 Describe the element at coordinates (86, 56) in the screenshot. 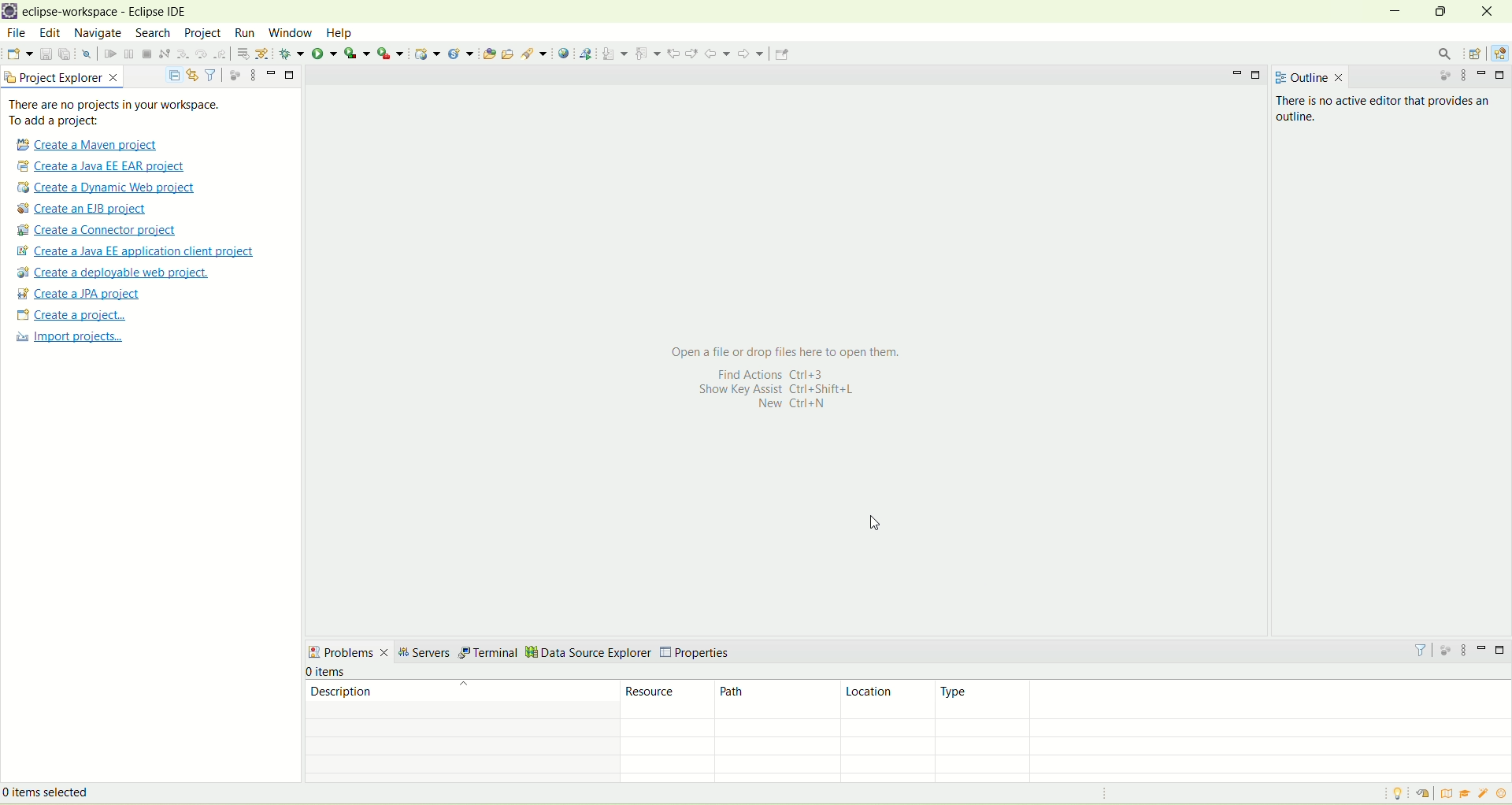

I see `undo` at that location.